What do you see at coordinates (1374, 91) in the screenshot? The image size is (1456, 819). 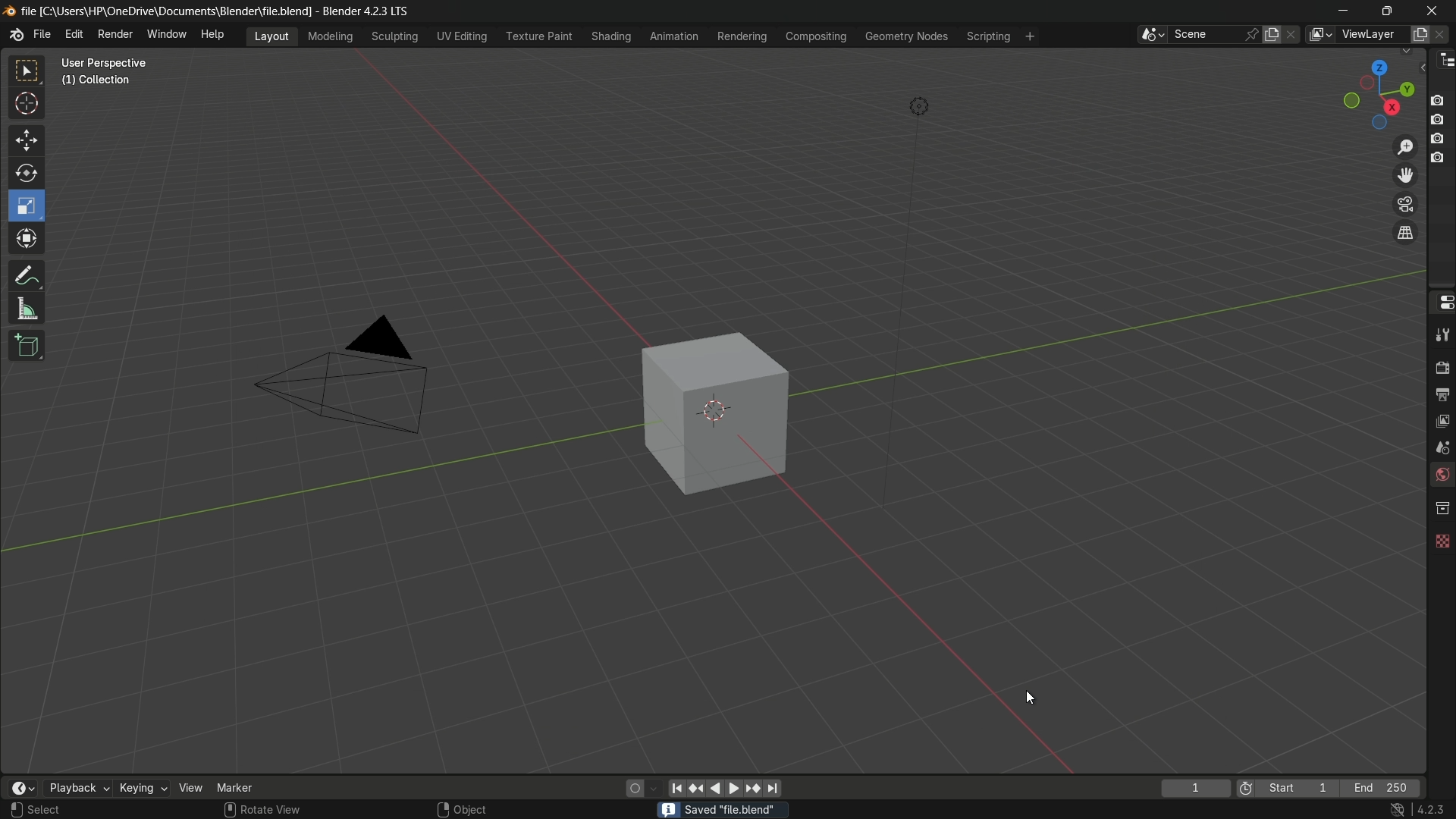 I see `preset view` at bounding box center [1374, 91].